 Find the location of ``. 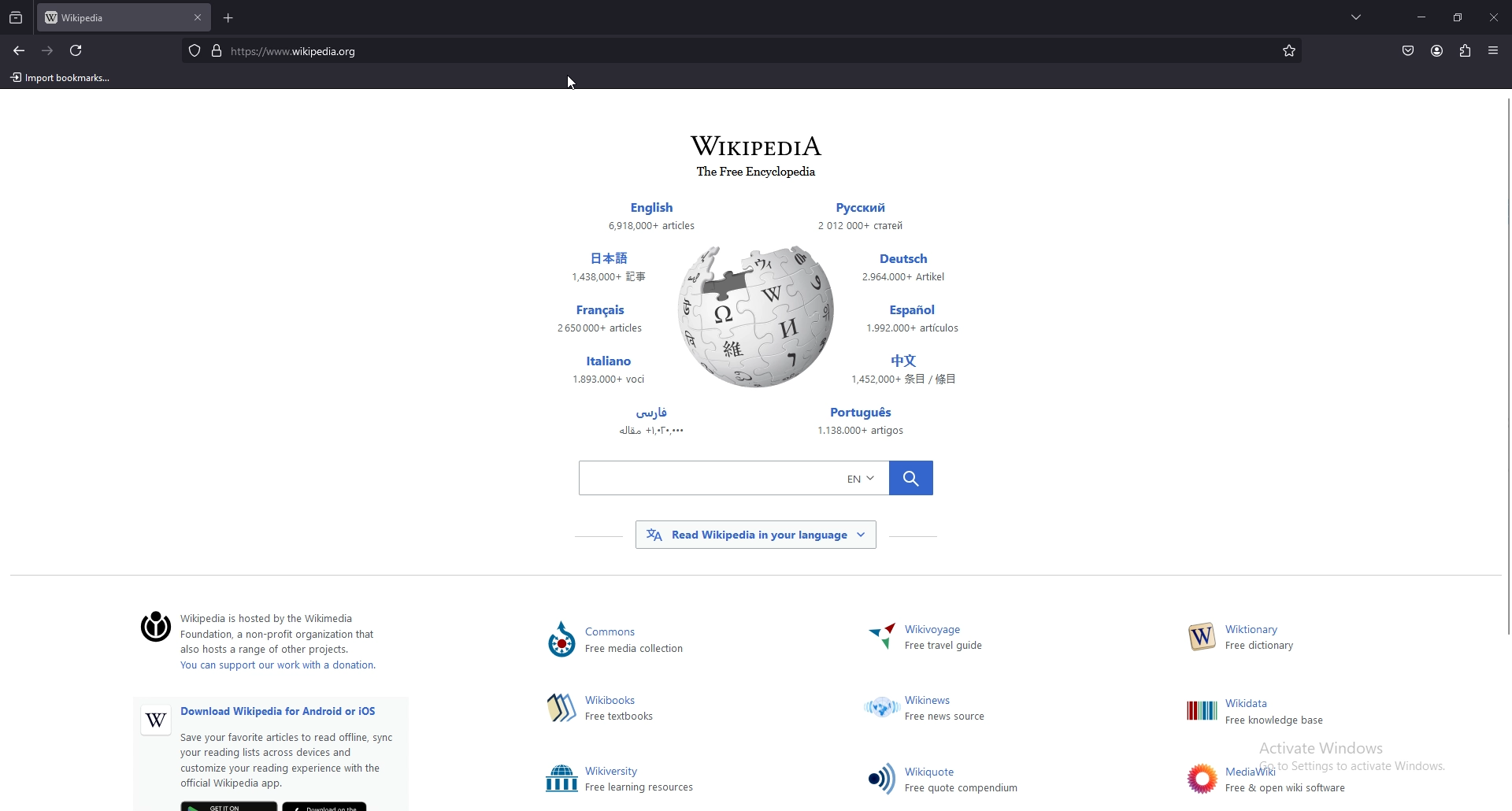

 is located at coordinates (650, 424).